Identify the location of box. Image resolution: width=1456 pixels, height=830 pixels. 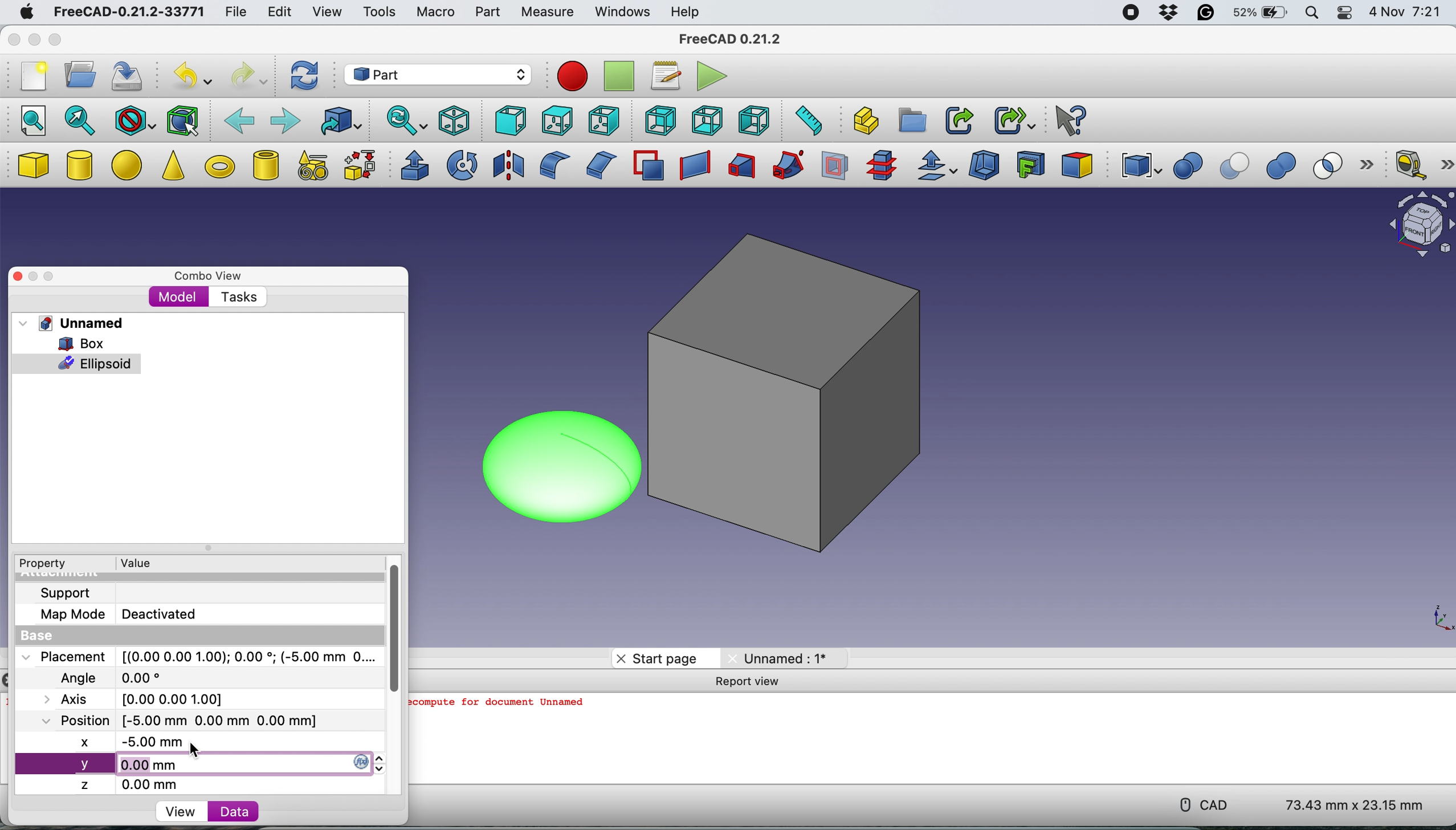
(798, 398).